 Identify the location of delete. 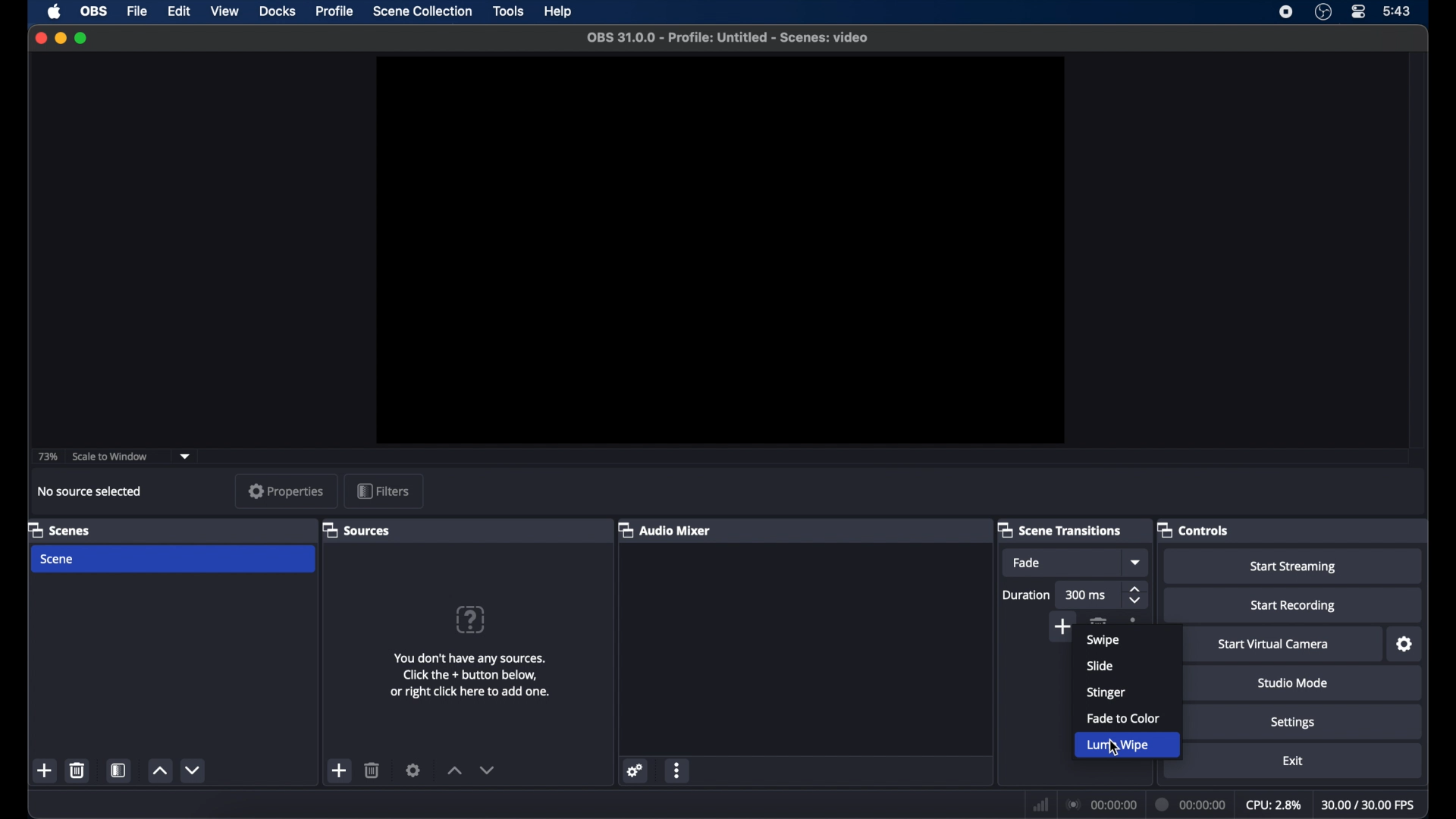
(1097, 619).